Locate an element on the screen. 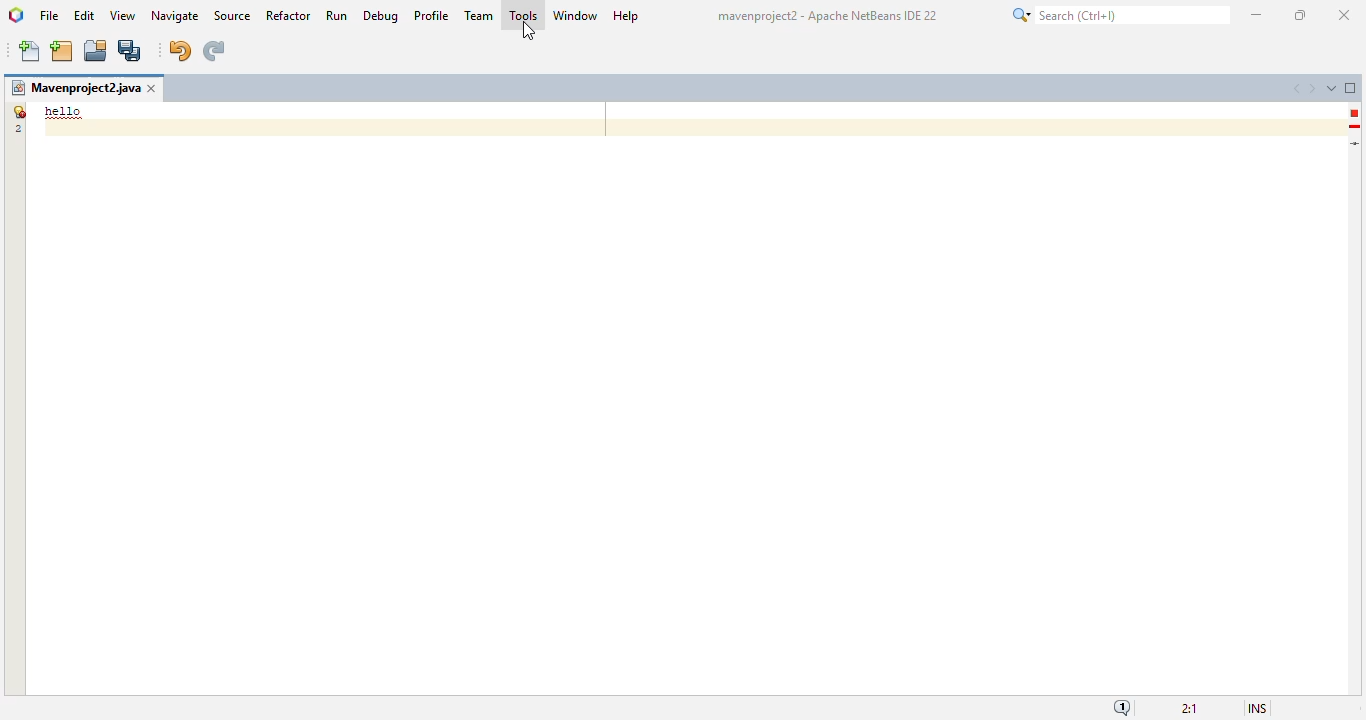 This screenshot has height=720, width=1366. source is located at coordinates (232, 16).